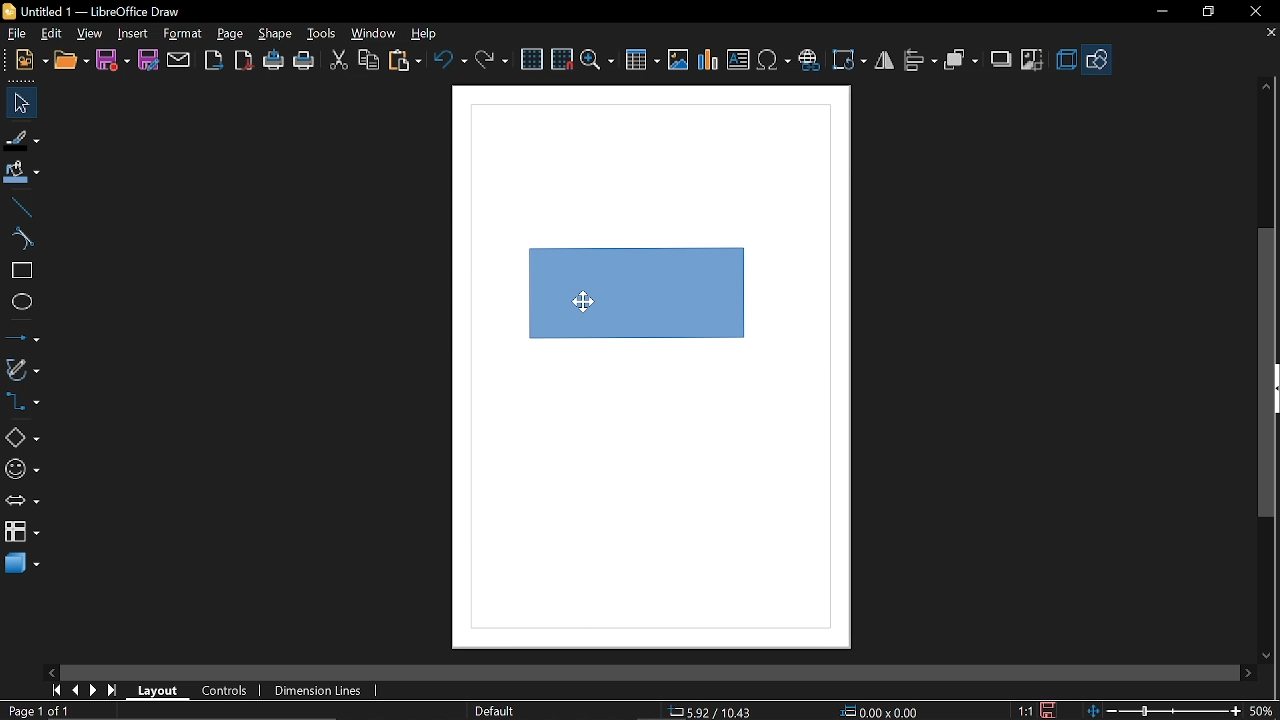  I want to click on Default, so click(492, 710).